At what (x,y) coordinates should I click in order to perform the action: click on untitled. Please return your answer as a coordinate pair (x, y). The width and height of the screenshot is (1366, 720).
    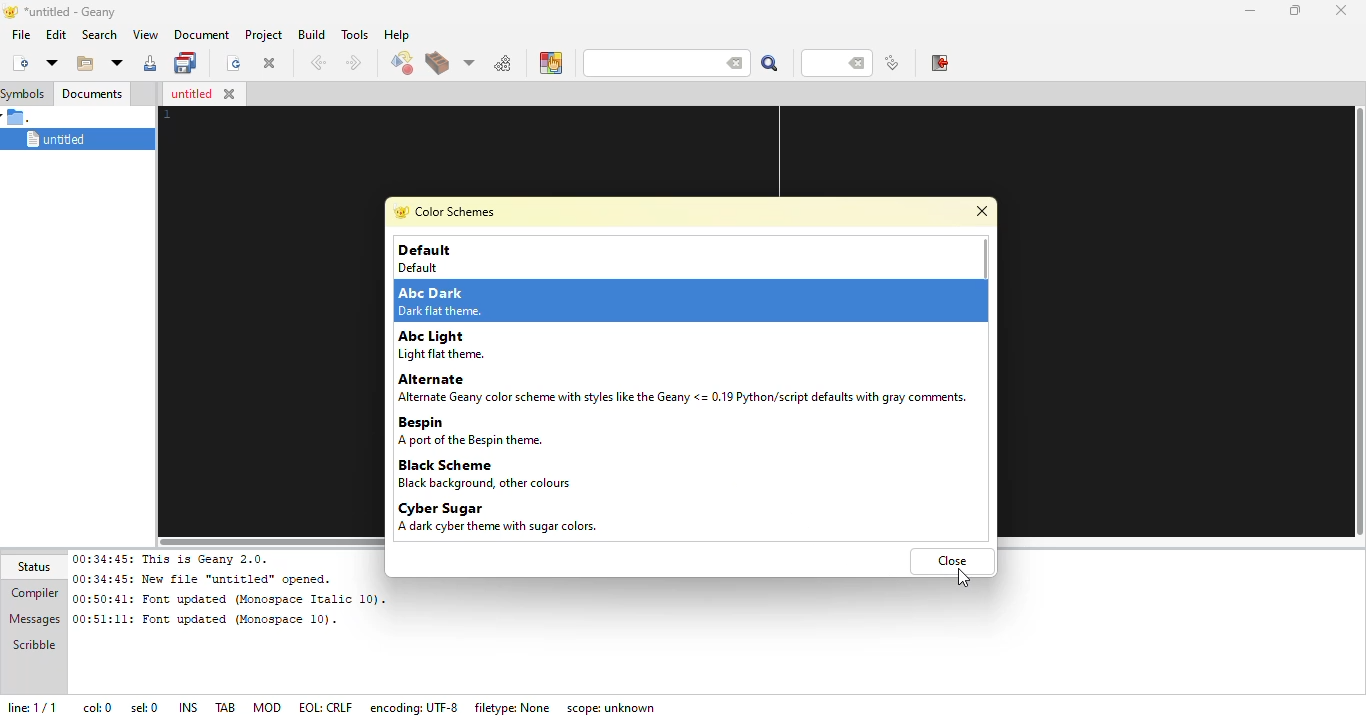
    Looking at the image, I should click on (189, 94).